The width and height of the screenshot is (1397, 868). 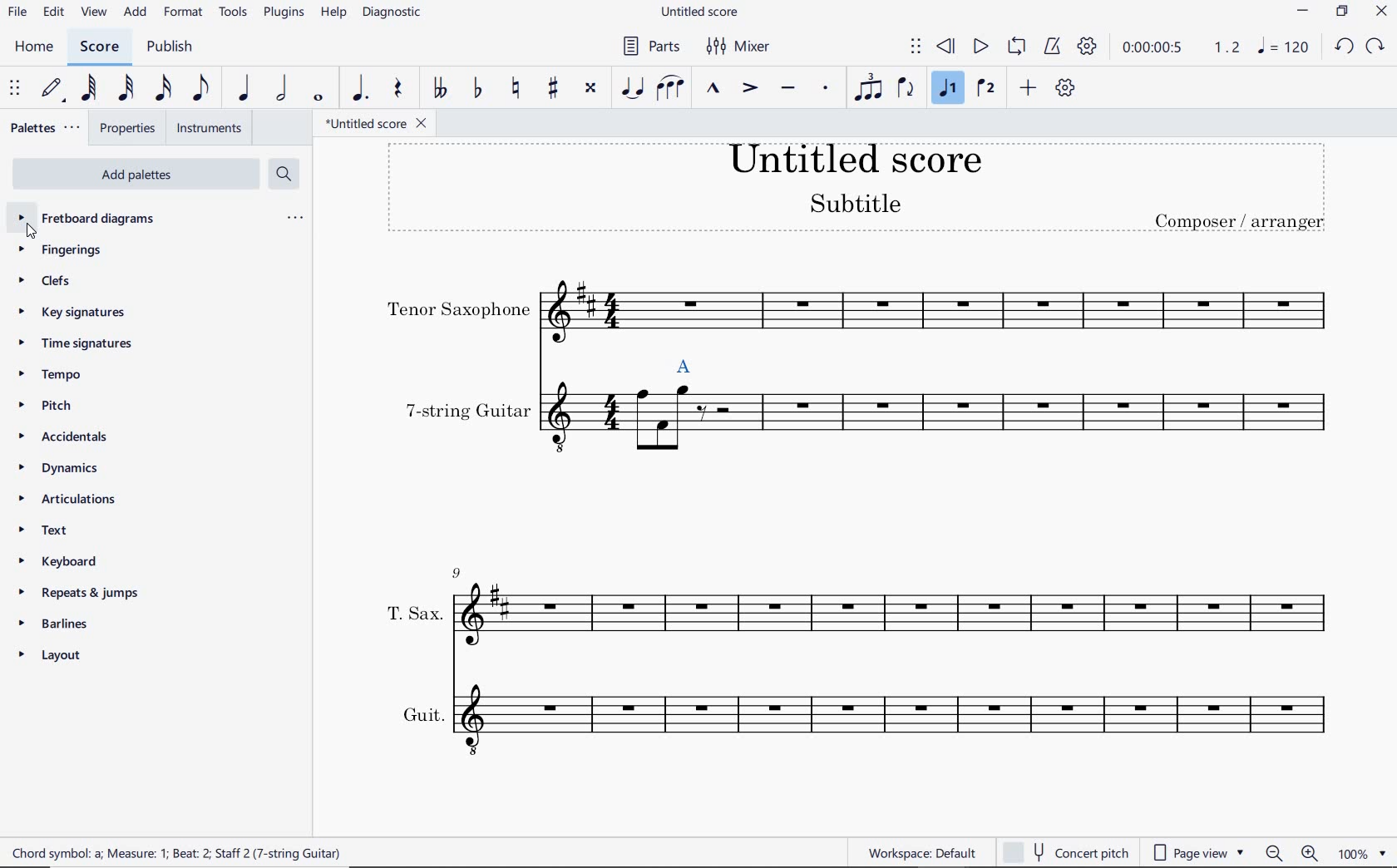 What do you see at coordinates (61, 657) in the screenshot?
I see `LAYOUT` at bounding box center [61, 657].